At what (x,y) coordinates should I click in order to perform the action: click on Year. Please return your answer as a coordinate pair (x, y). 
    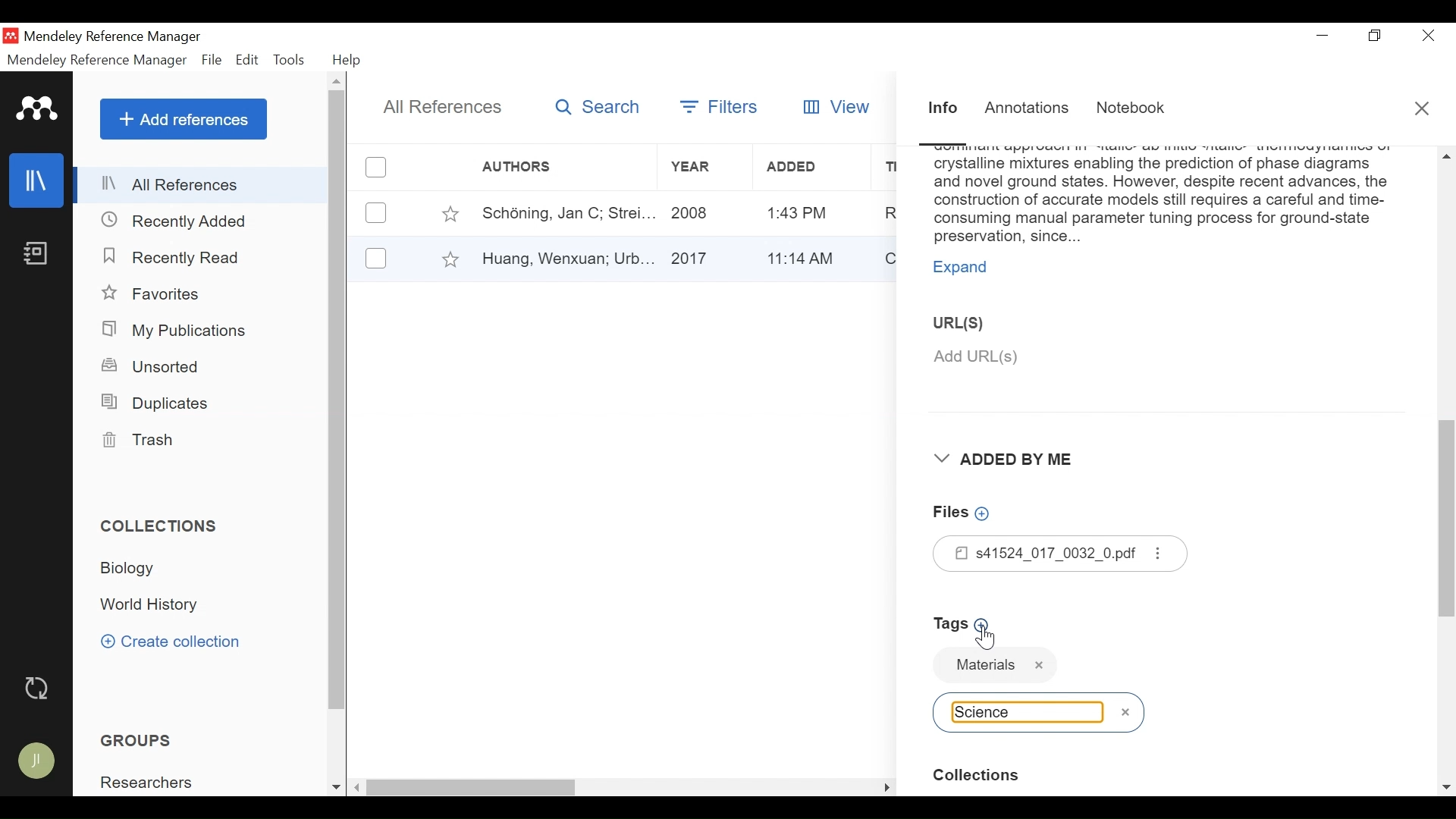
    Looking at the image, I should click on (702, 257).